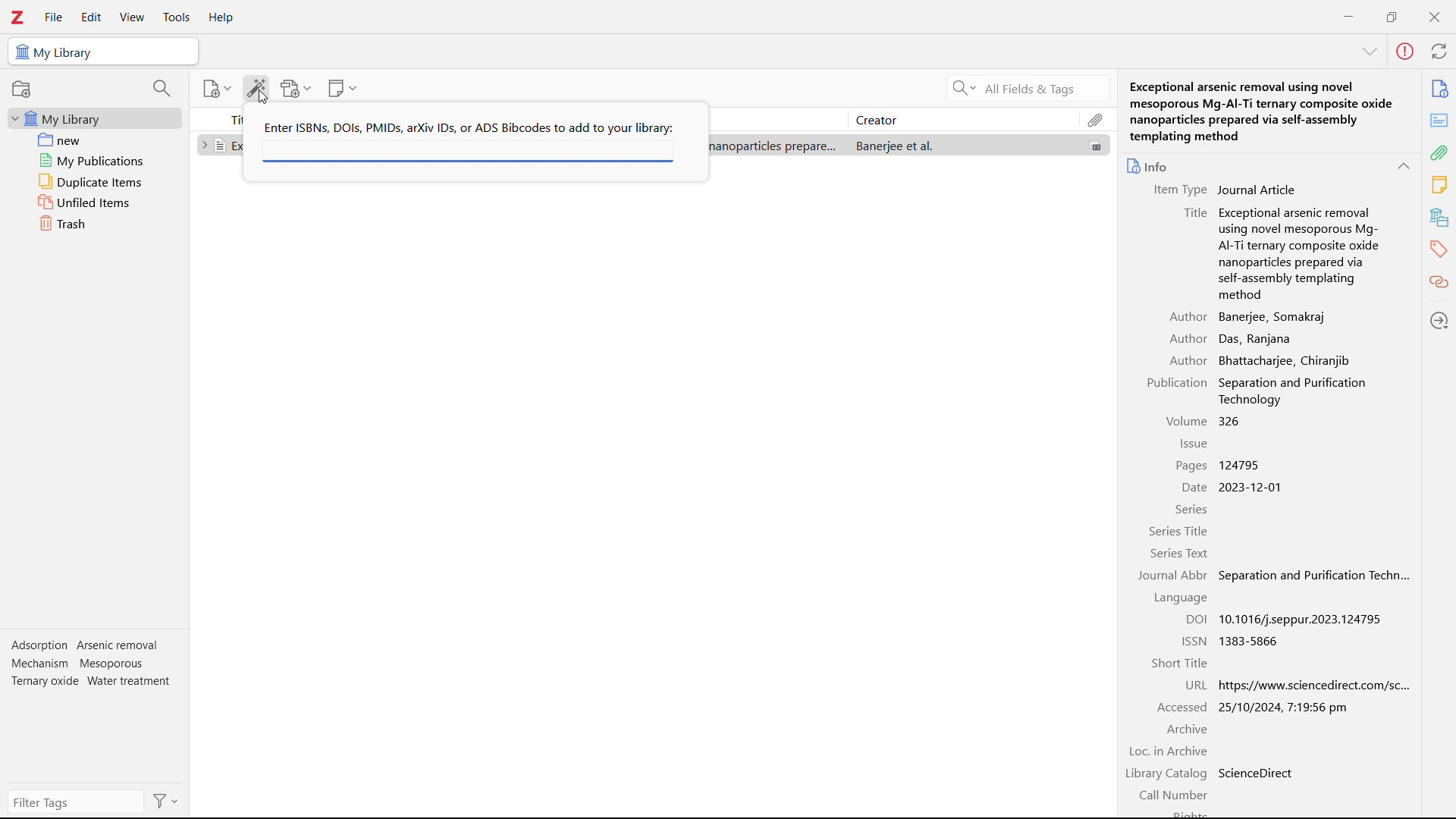 The image size is (1456, 819). What do you see at coordinates (1440, 185) in the screenshot?
I see `notes` at bounding box center [1440, 185].